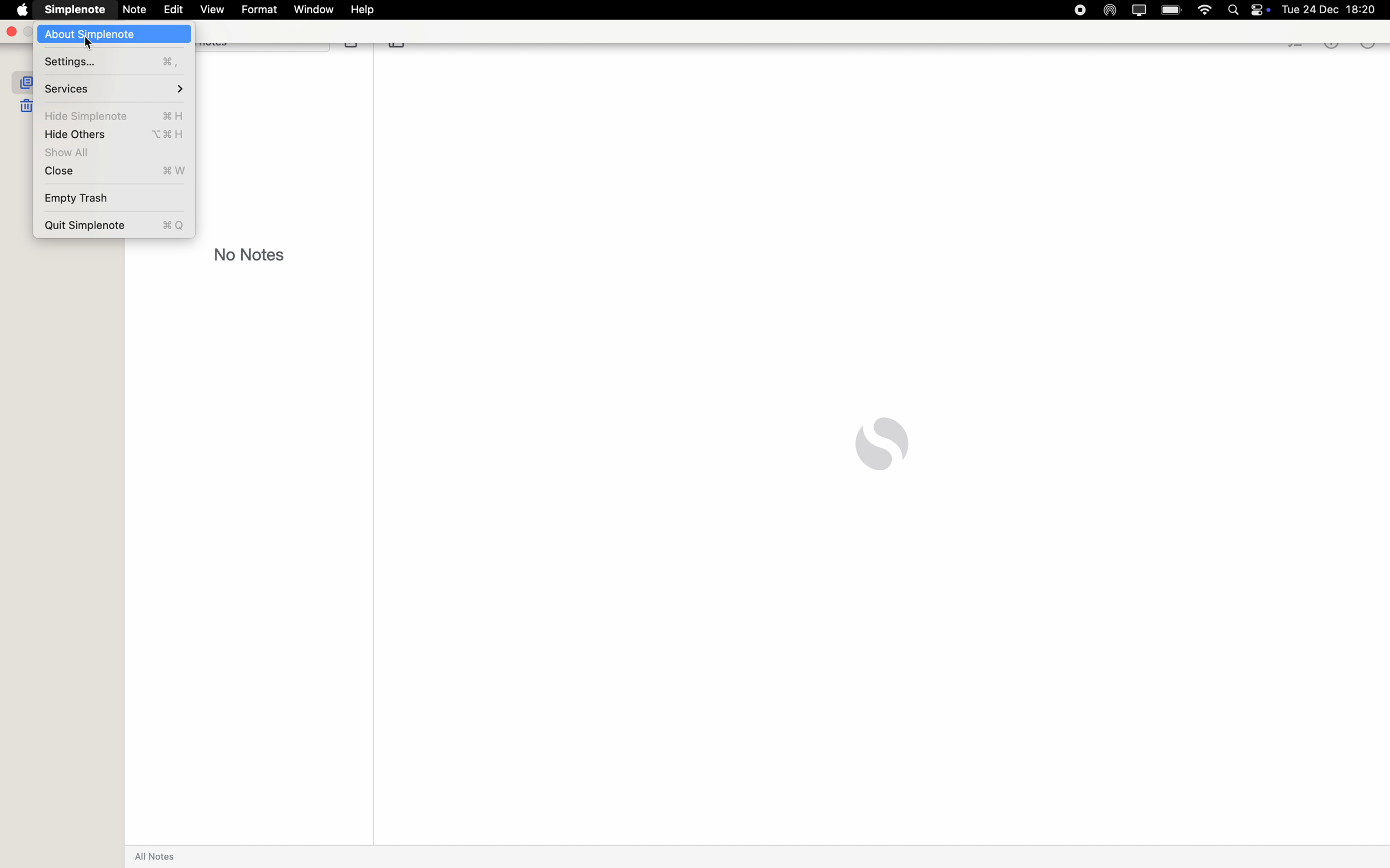 The height and width of the screenshot is (868, 1390). I want to click on note, so click(134, 10).